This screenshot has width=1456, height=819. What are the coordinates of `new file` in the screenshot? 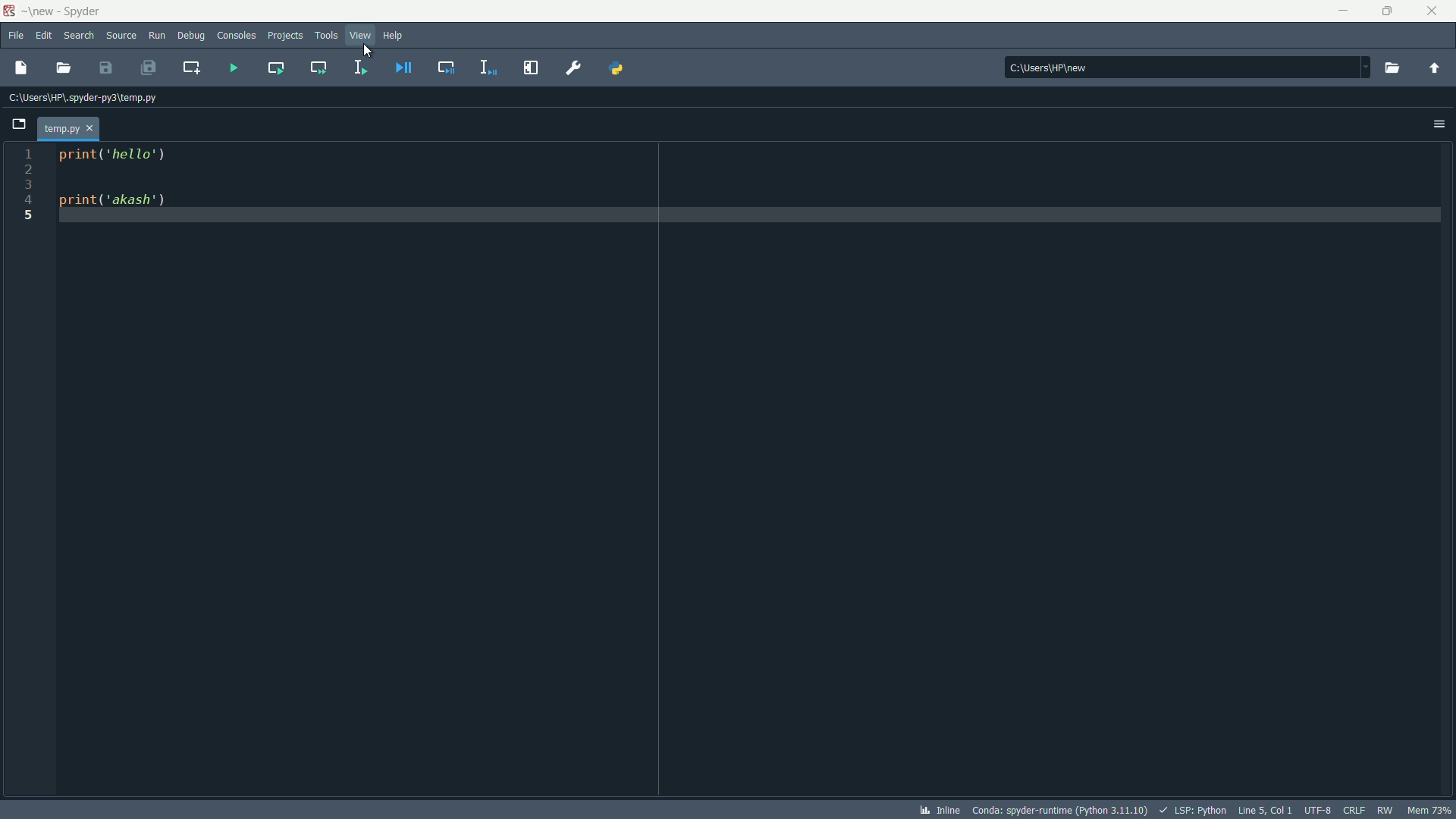 It's located at (21, 67).